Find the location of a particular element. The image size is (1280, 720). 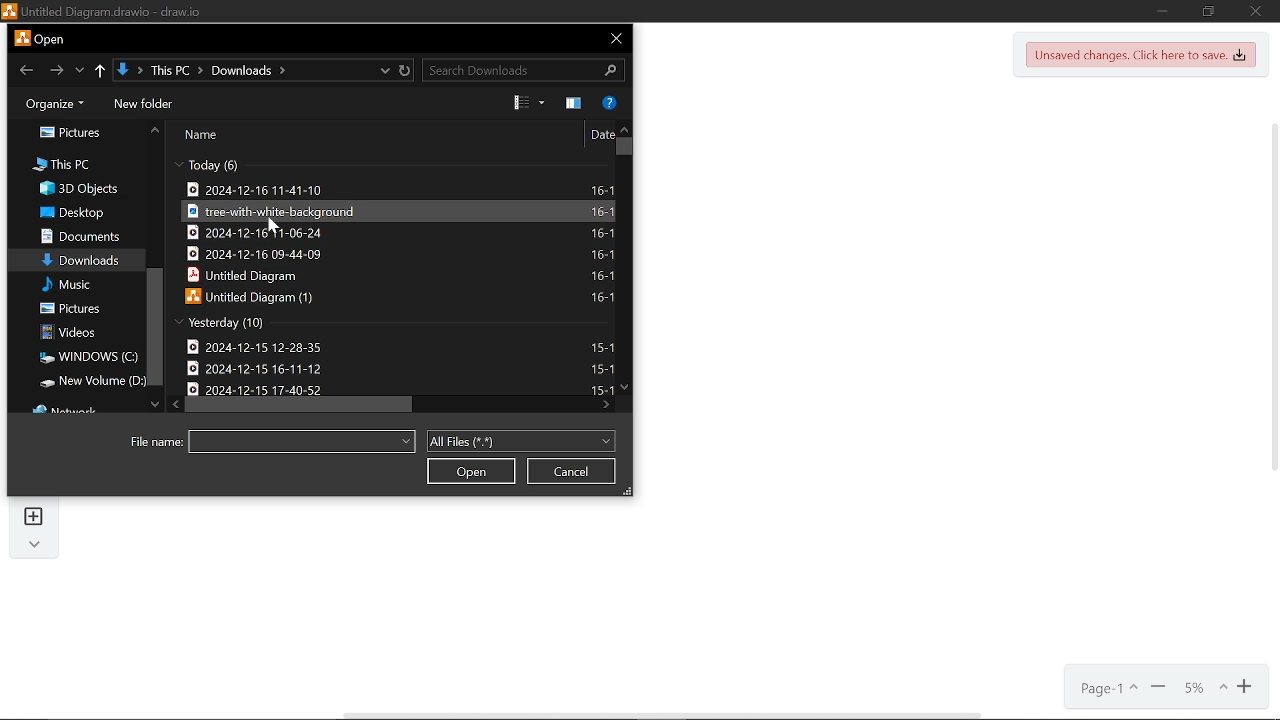

selected file  is located at coordinates (400, 211).